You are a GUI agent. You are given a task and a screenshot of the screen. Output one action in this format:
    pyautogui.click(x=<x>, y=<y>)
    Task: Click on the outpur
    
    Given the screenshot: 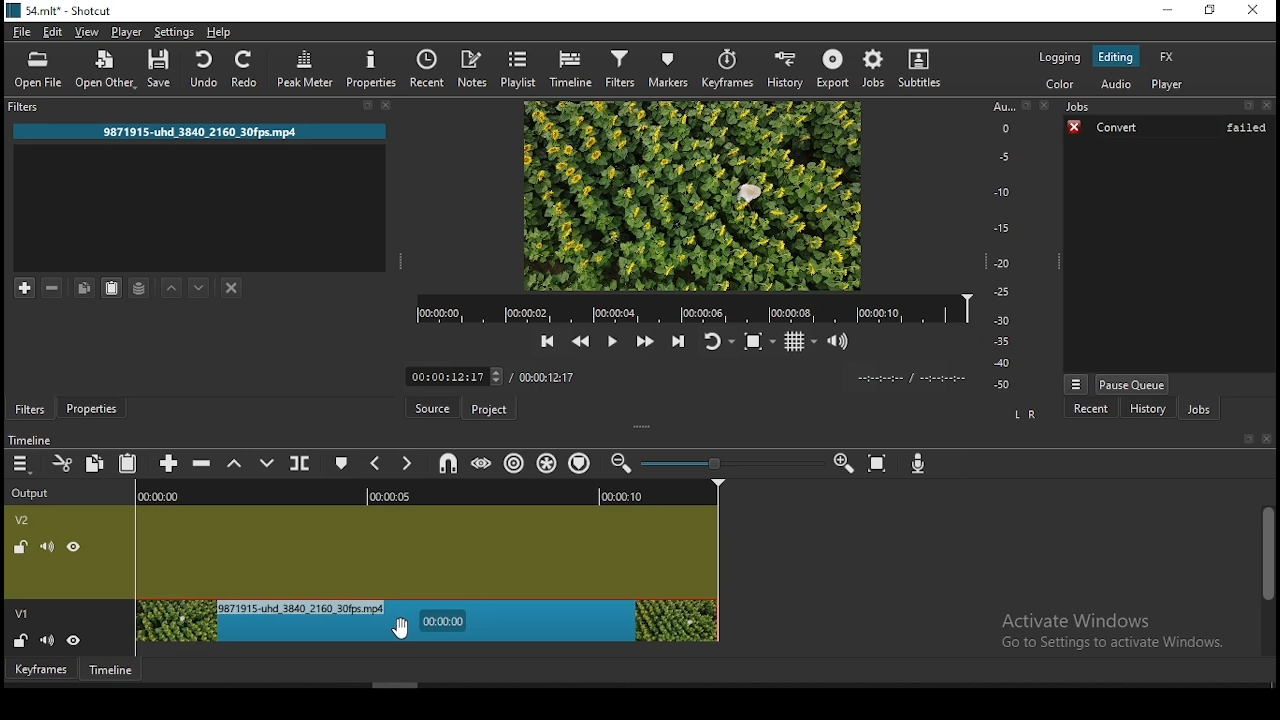 What is the action you would take?
    pyautogui.click(x=35, y=492)
    